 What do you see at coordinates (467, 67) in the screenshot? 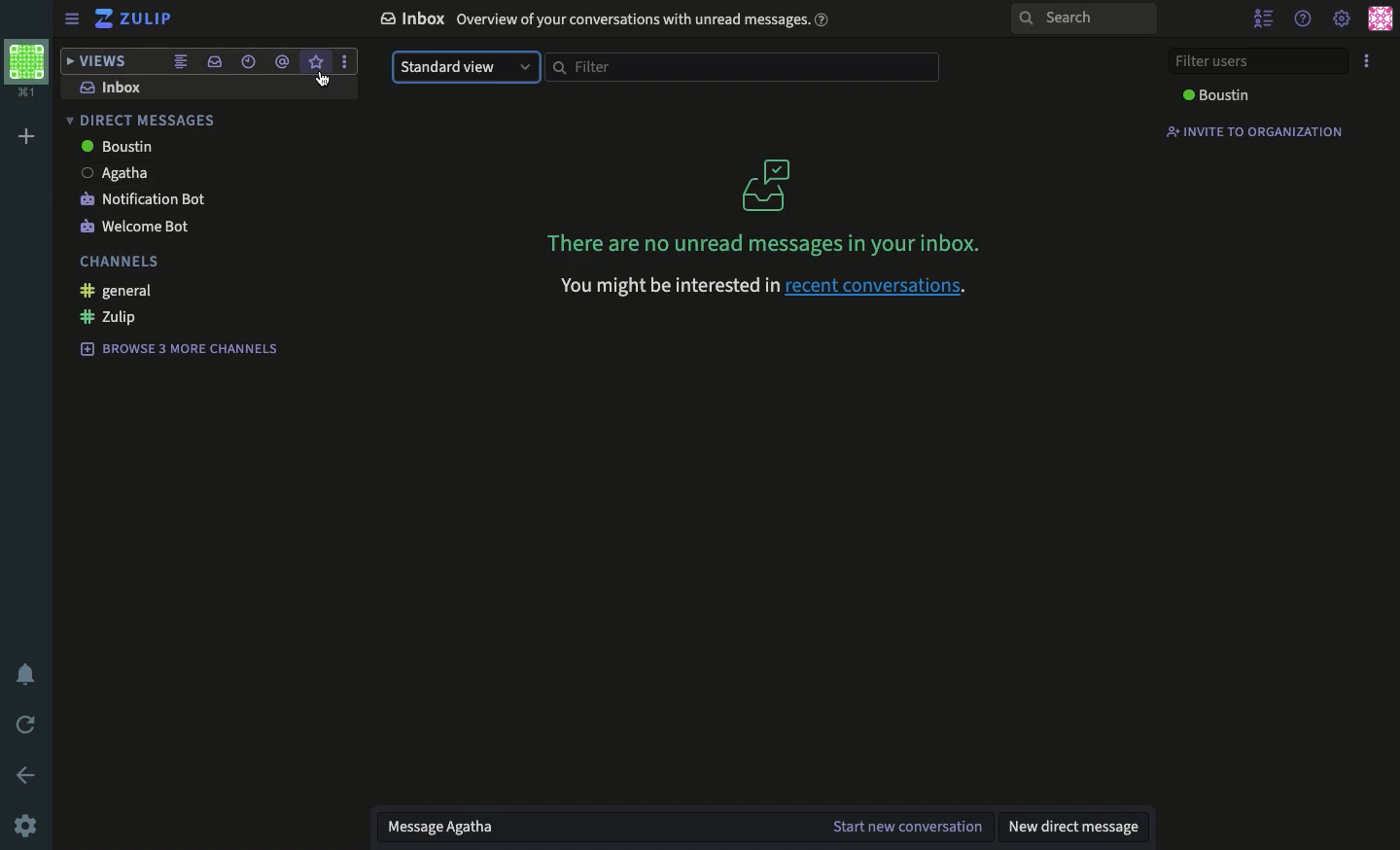
I see `standard view` at bounding box center [467, 67].